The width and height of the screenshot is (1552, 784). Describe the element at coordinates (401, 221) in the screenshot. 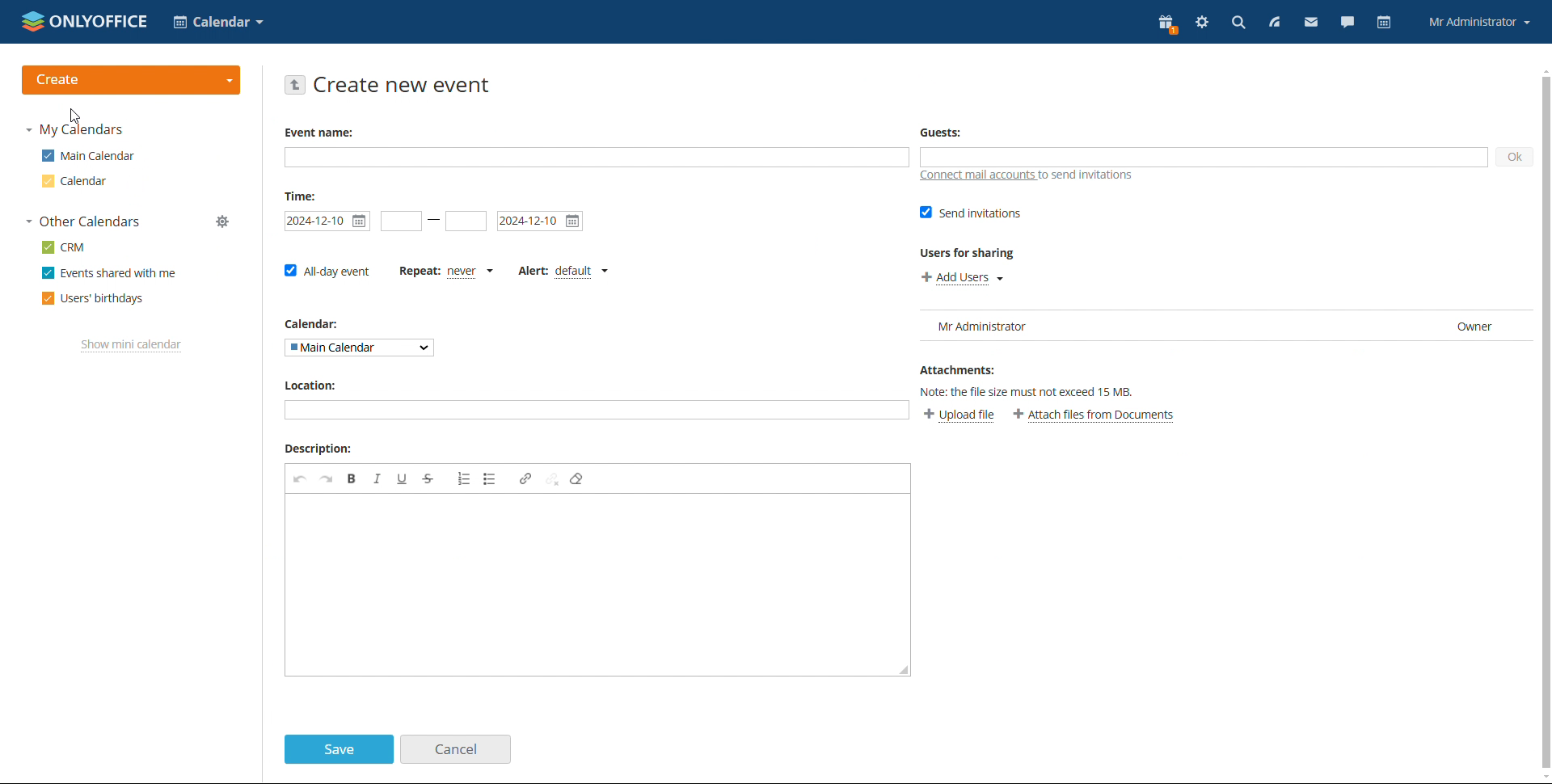

I see `start date` at that location.